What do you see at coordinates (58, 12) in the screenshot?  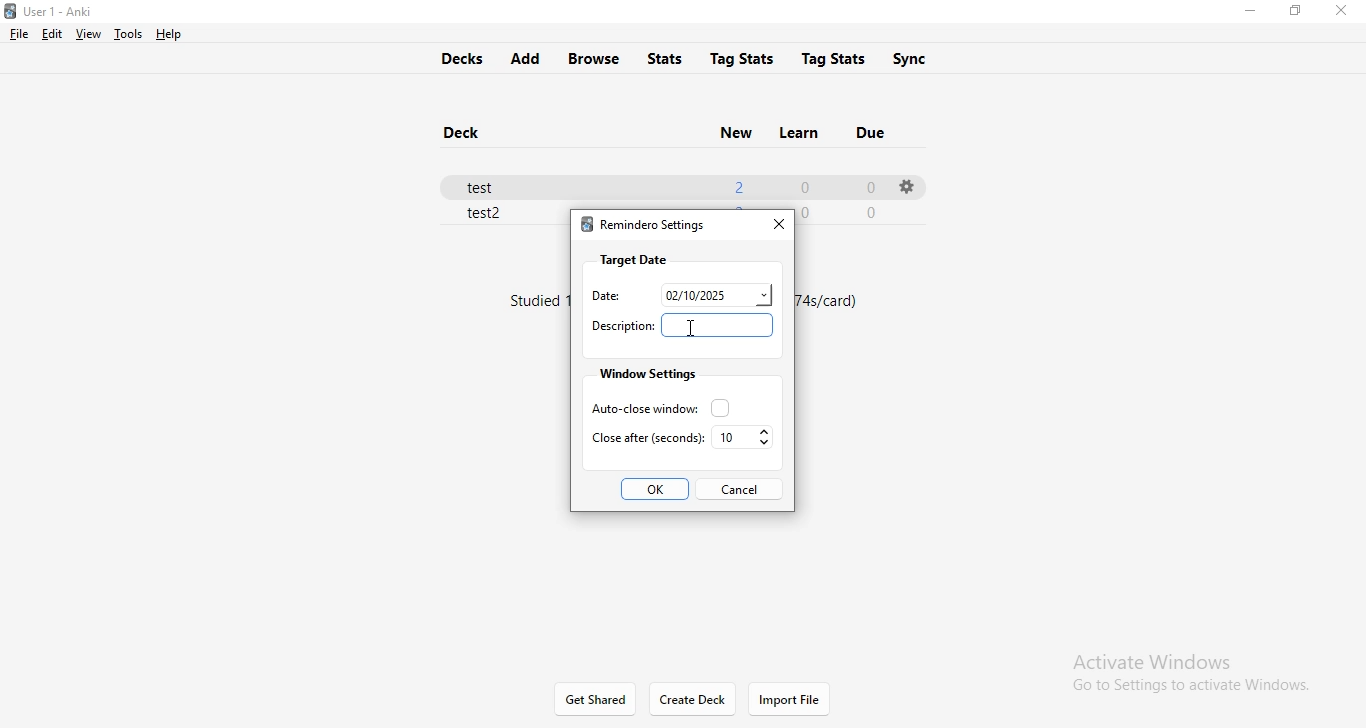 I see `Anki` at bounding box center [58, 12].